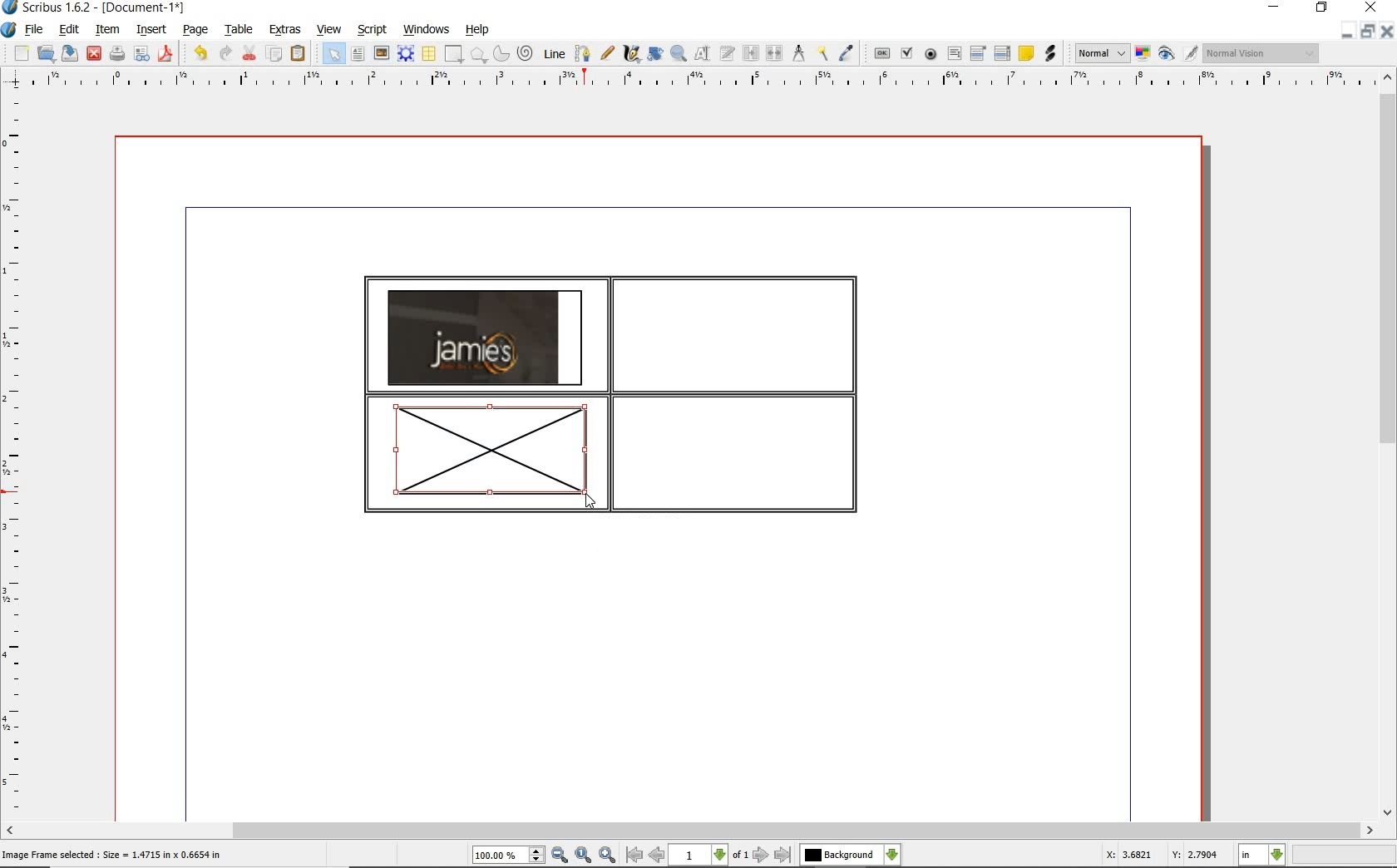  What do you see at coordinates (1386, 32) in the screenshot?
I see `close` at bounding box center [1386, 32].